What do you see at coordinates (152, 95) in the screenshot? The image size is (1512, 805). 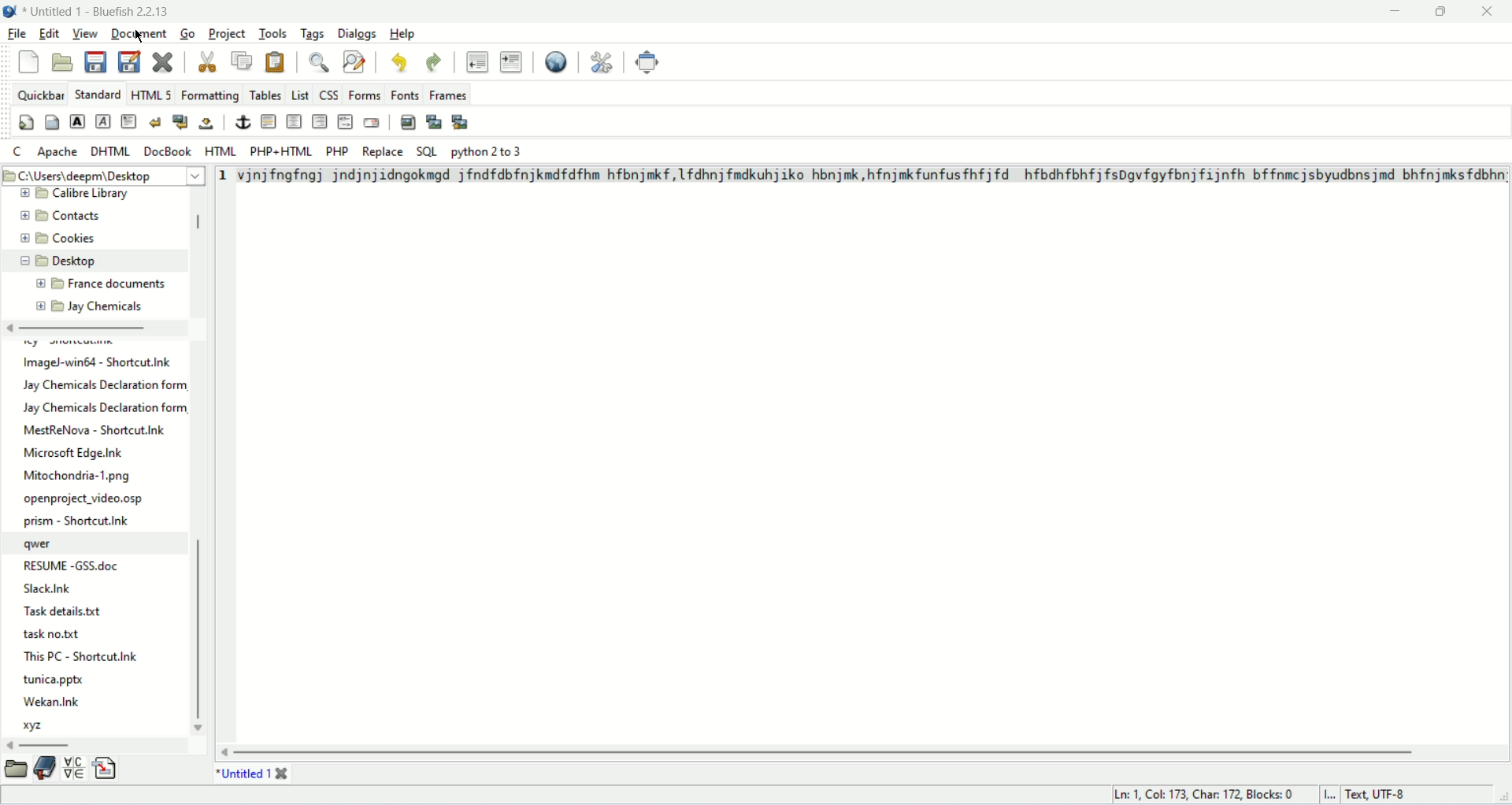 I see `HTML 5` at bounding box center [152, 95].